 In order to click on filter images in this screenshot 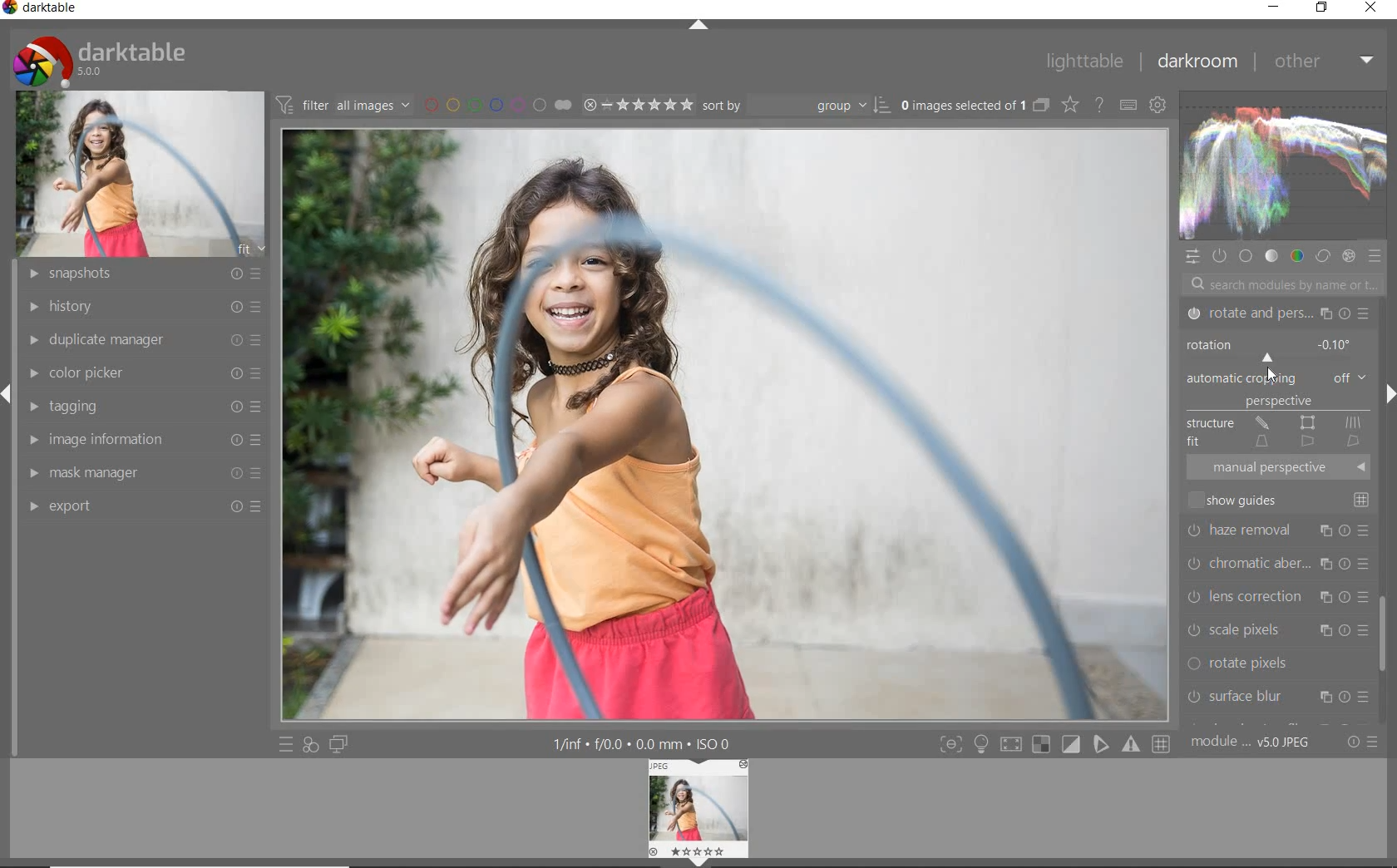, I will do `click(343, 104)`.